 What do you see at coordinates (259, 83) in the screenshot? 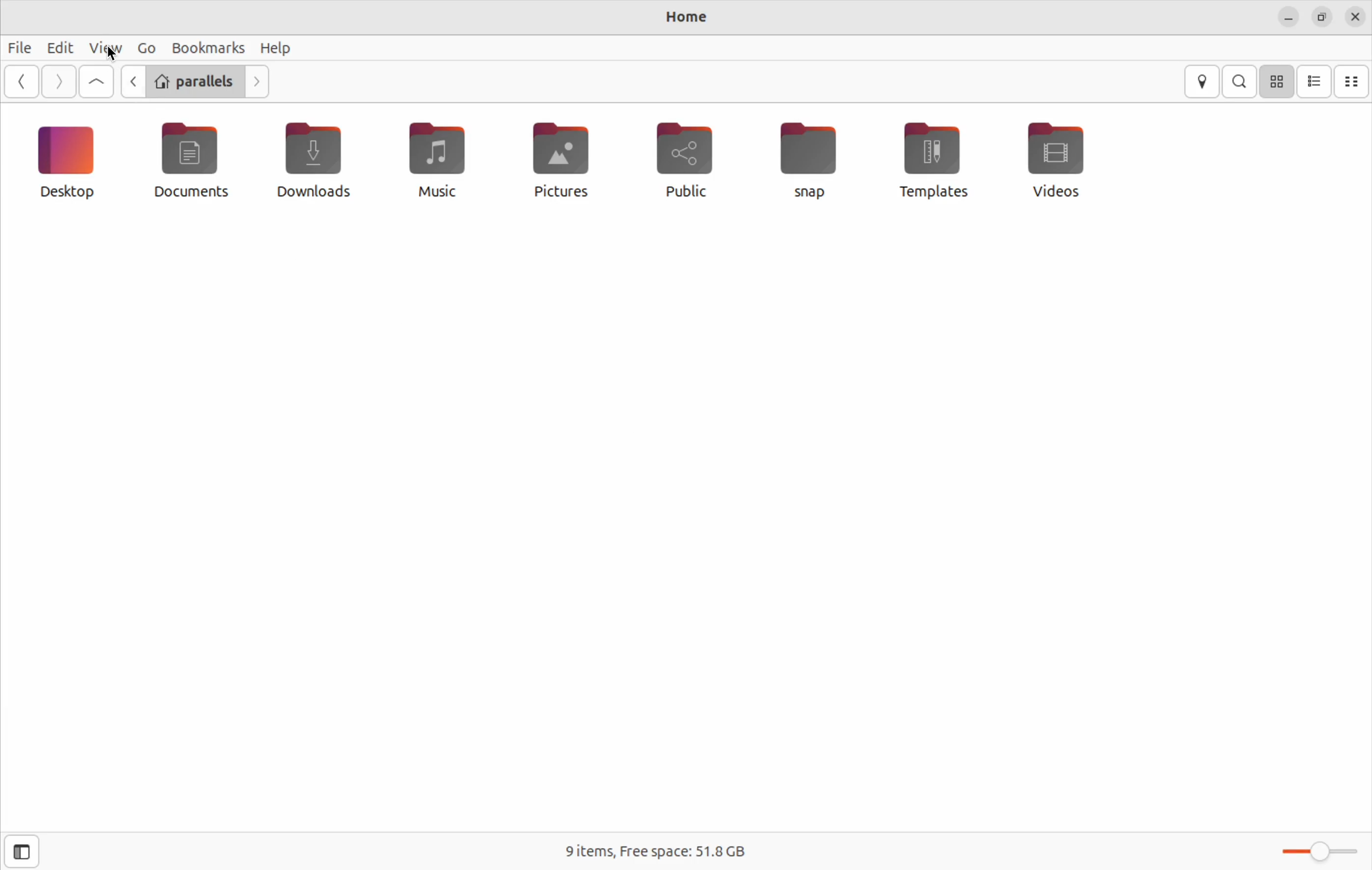
I see `Go next` at bounding box center [259, 83].